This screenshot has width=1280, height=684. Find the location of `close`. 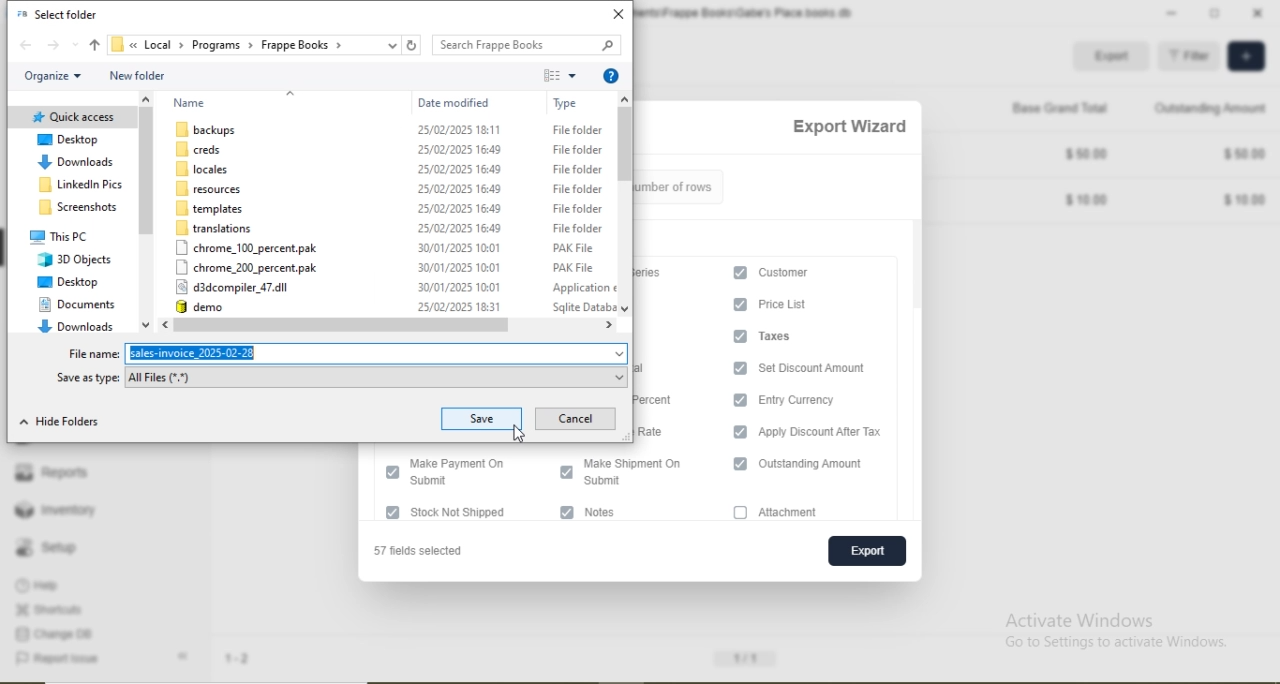

close is located at coordinates (1263, 13).